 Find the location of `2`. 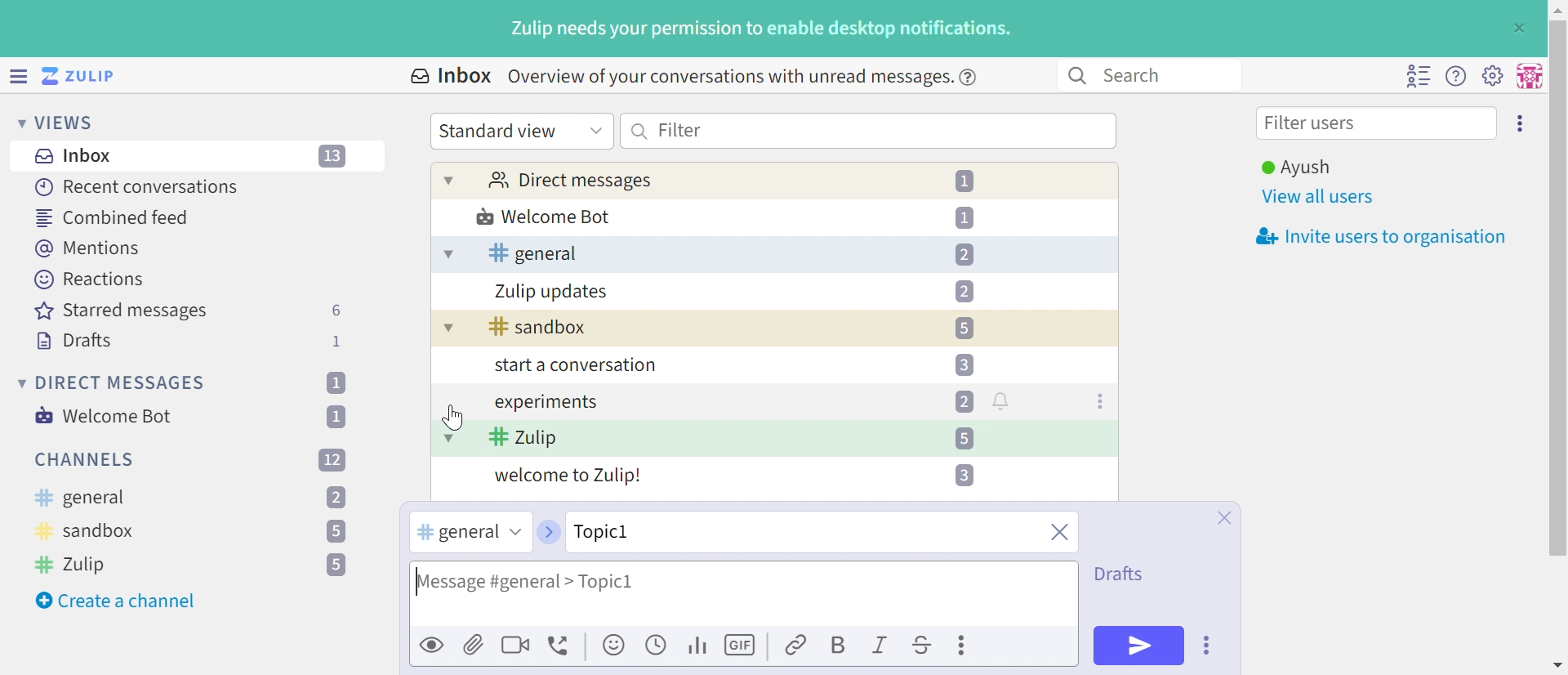

2 is located at coordinates (964, 255).